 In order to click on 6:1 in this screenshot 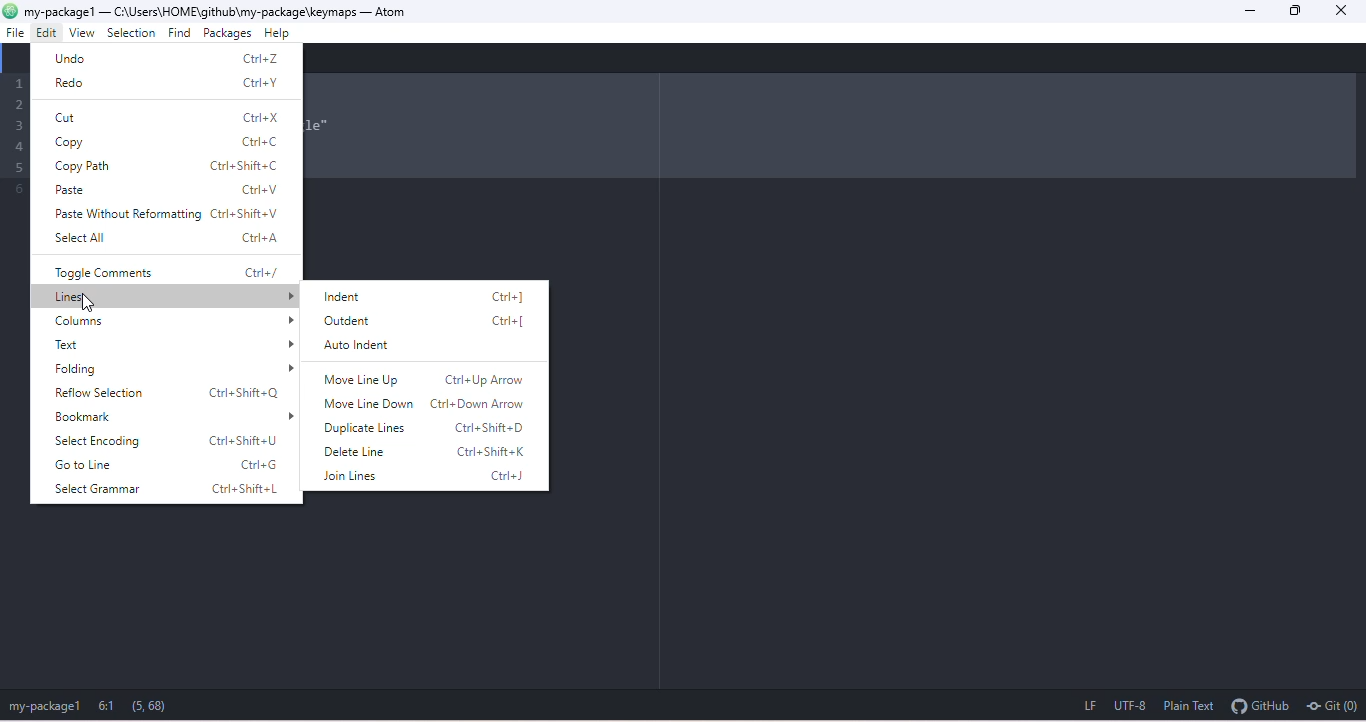, I will do `click(110, 706)`.